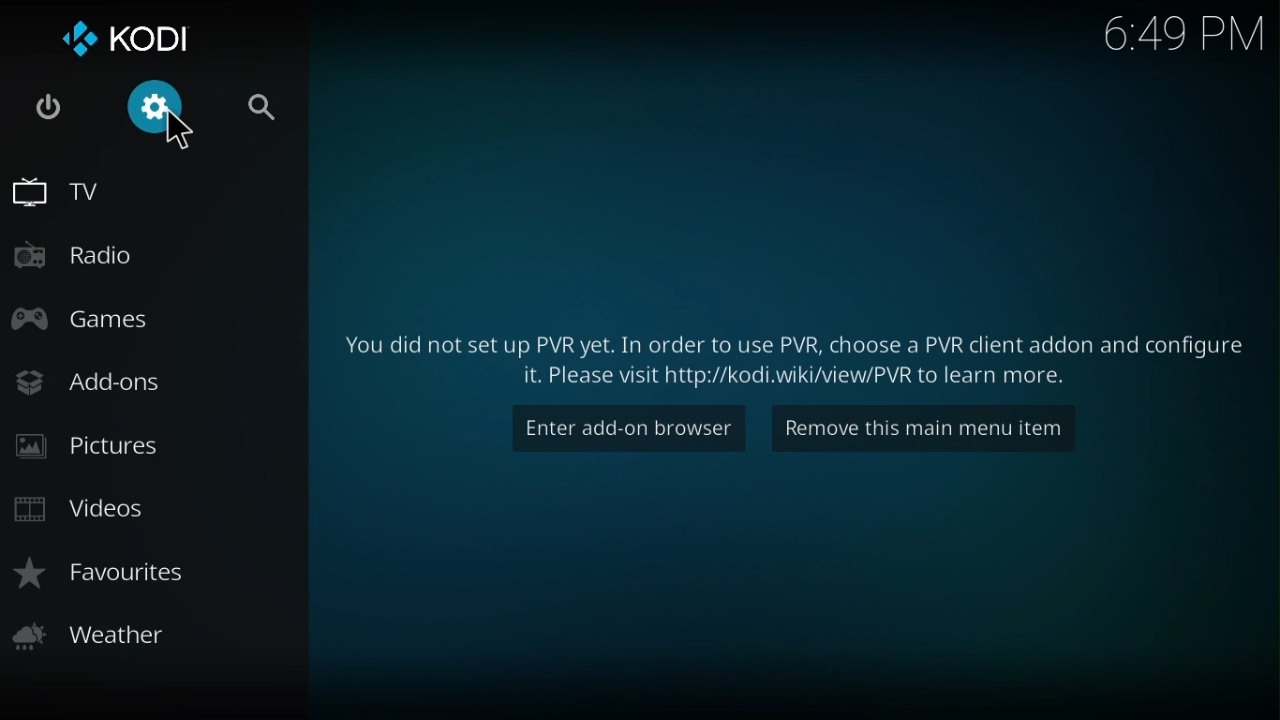 The width and height of the screenshot is (1280, 720). I want to click on Enter add-on browser Remove this main menu item, so click(793, 351).